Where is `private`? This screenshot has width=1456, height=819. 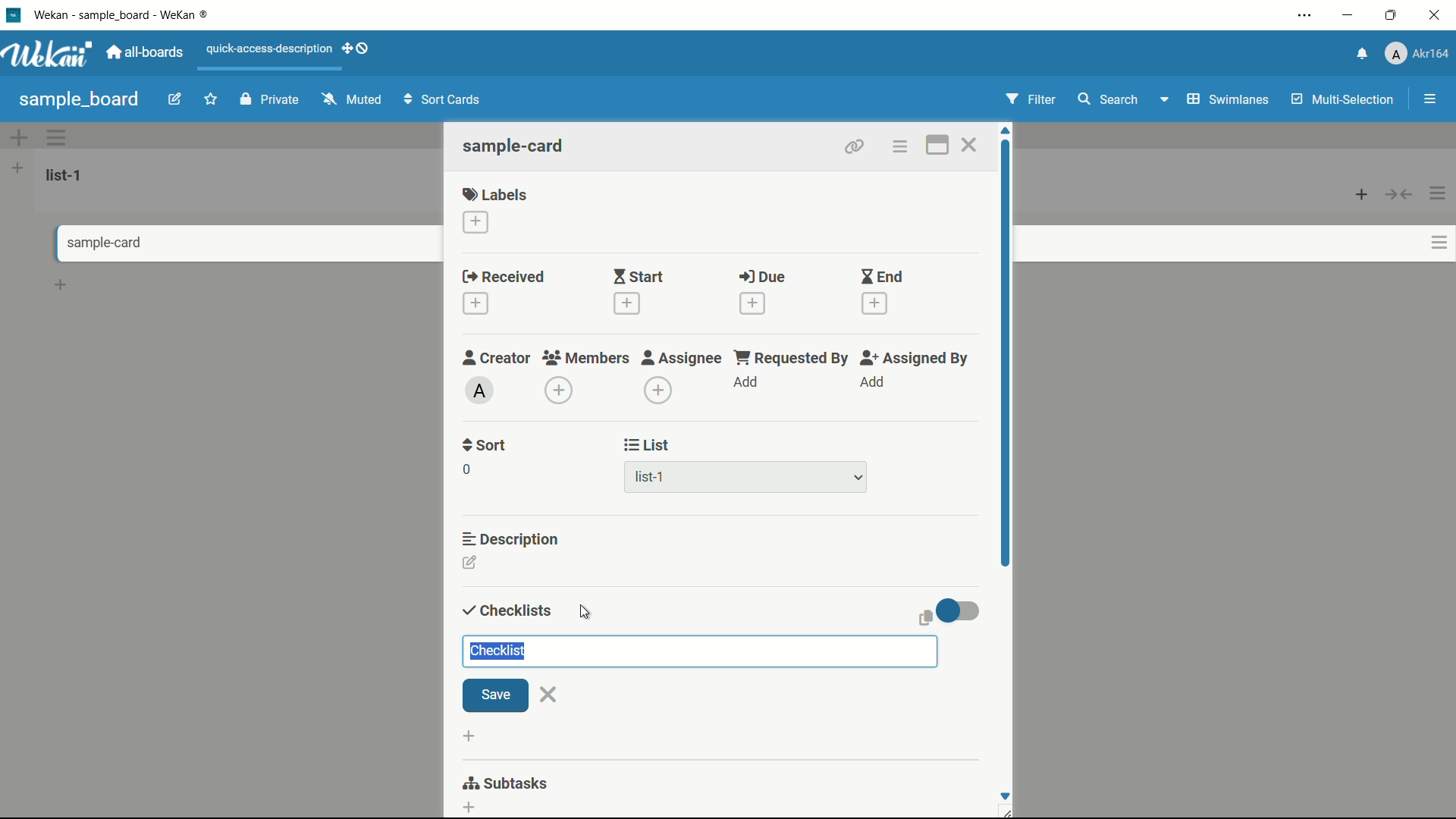
private is located at coordinates (270, 101).